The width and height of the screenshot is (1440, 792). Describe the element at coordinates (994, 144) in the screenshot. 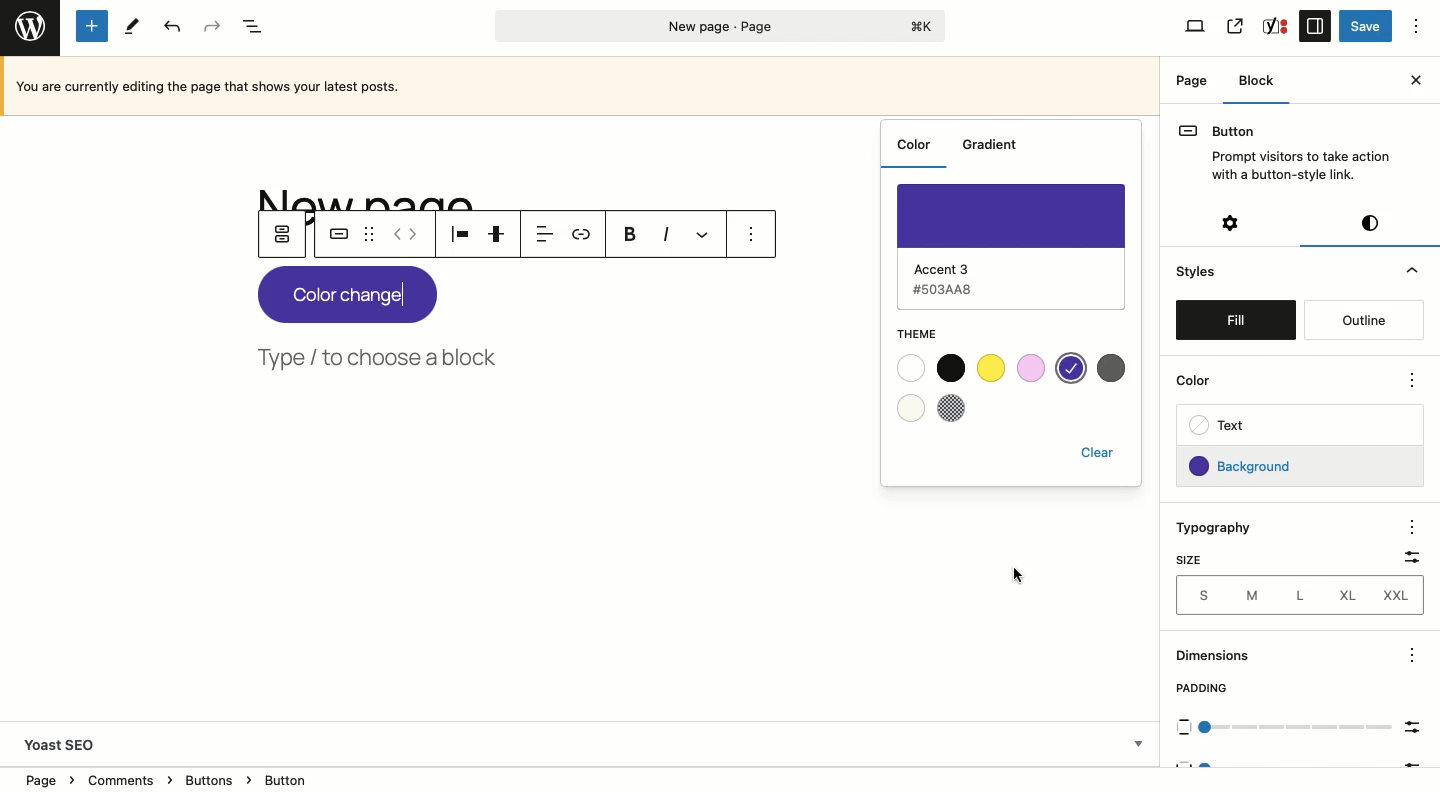

I see `Gradient` at that location.